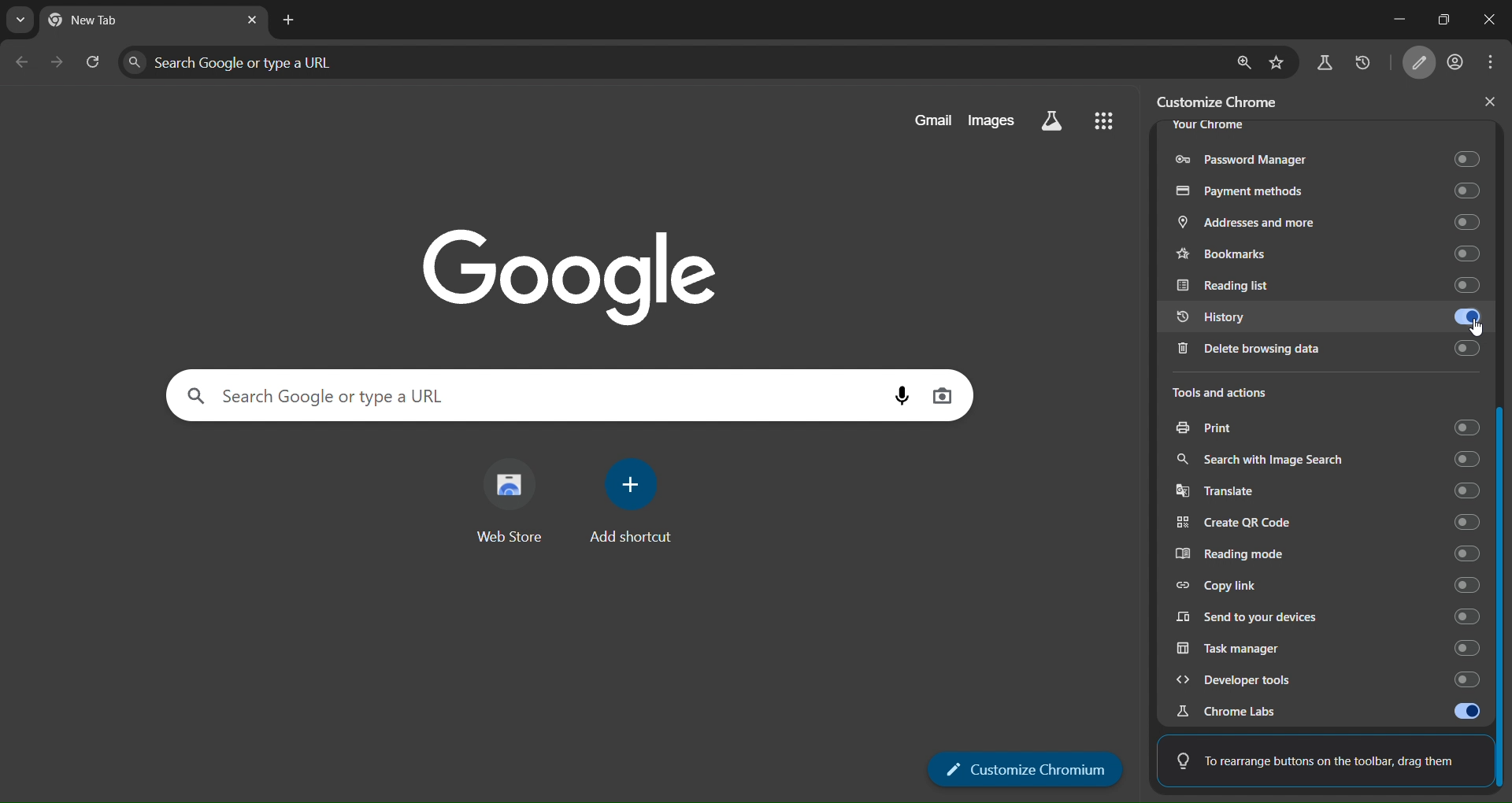 The height and width of the screenshot is (803, 1512). What do you see at coordinates (1329, 523) in the screenshot?
I see `create QR code` at bounding box center [1329, 523].